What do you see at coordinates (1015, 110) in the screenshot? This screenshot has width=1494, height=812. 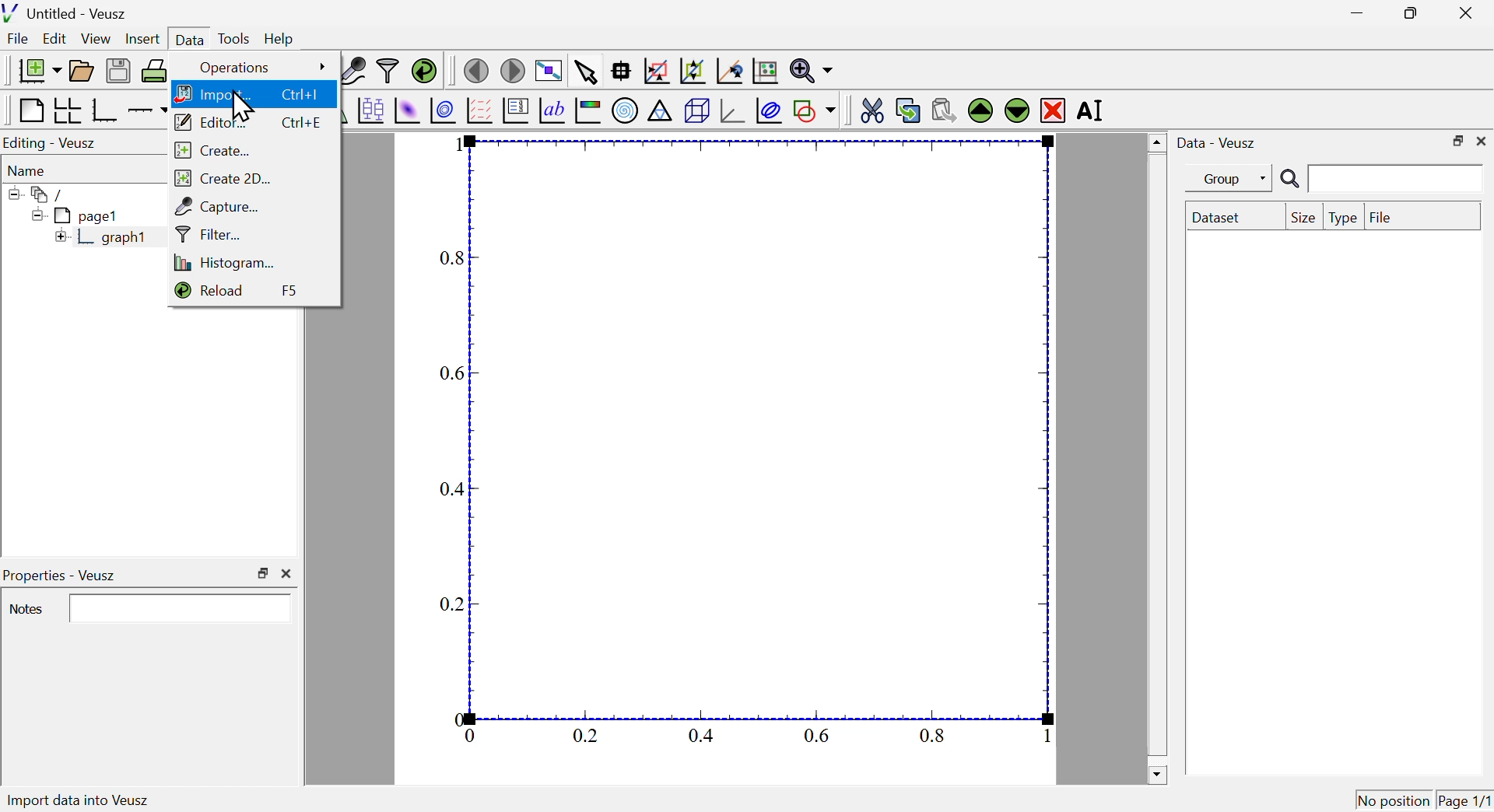 I see `move the selected widget down` at bounding box center [1015, 110].